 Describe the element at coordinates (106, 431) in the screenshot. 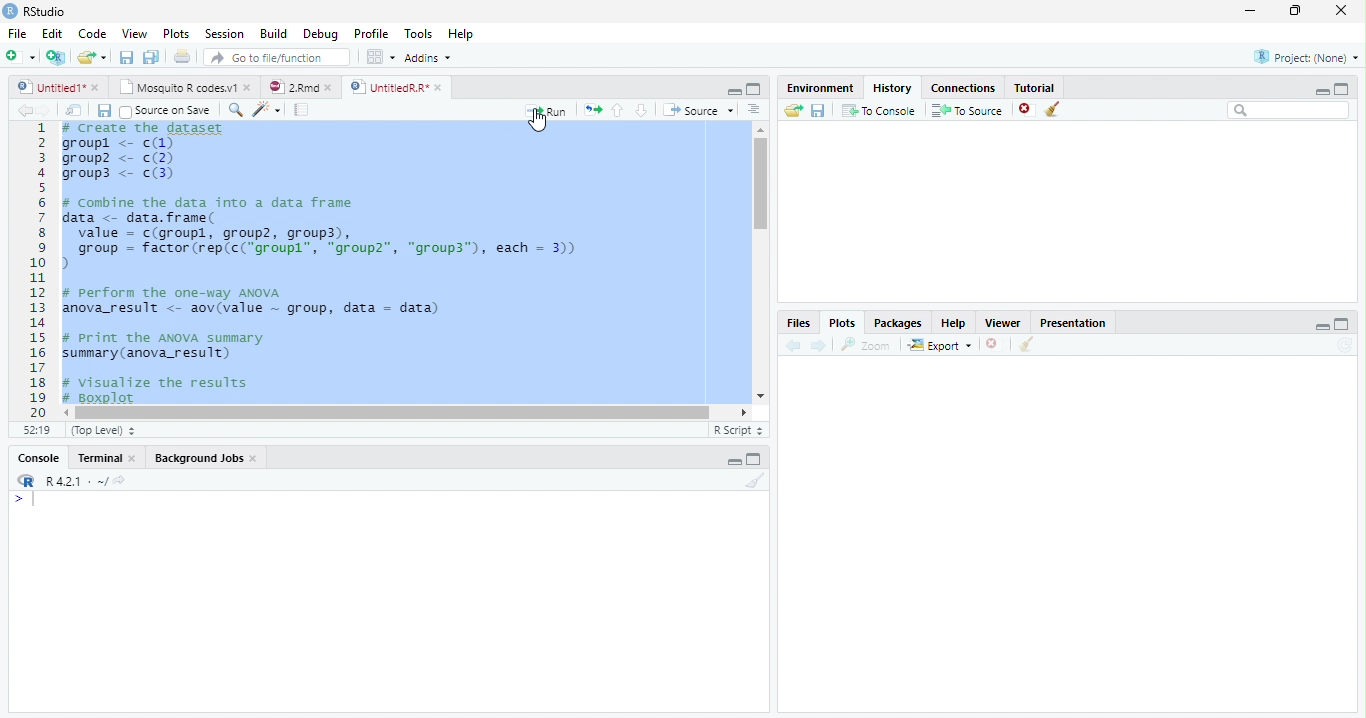

I see `Top level` at that location.